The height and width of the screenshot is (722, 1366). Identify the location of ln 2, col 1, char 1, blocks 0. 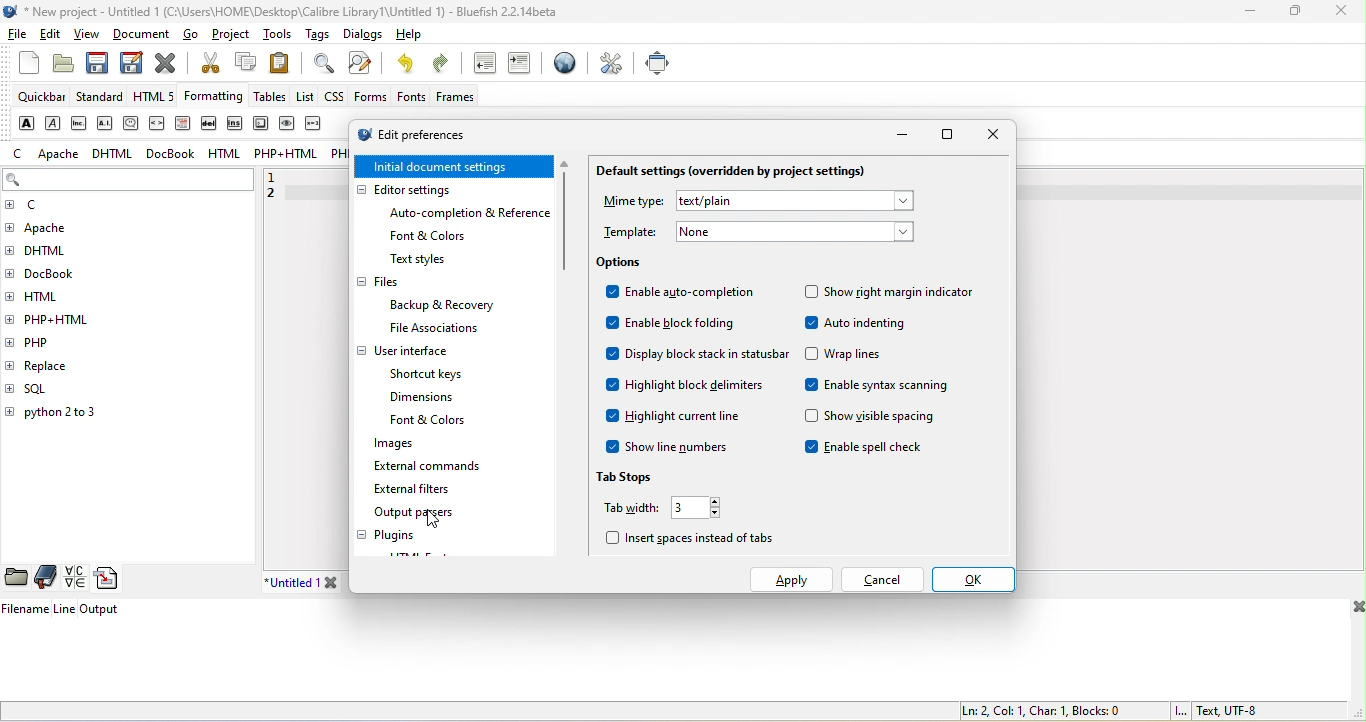
(1039, 710).